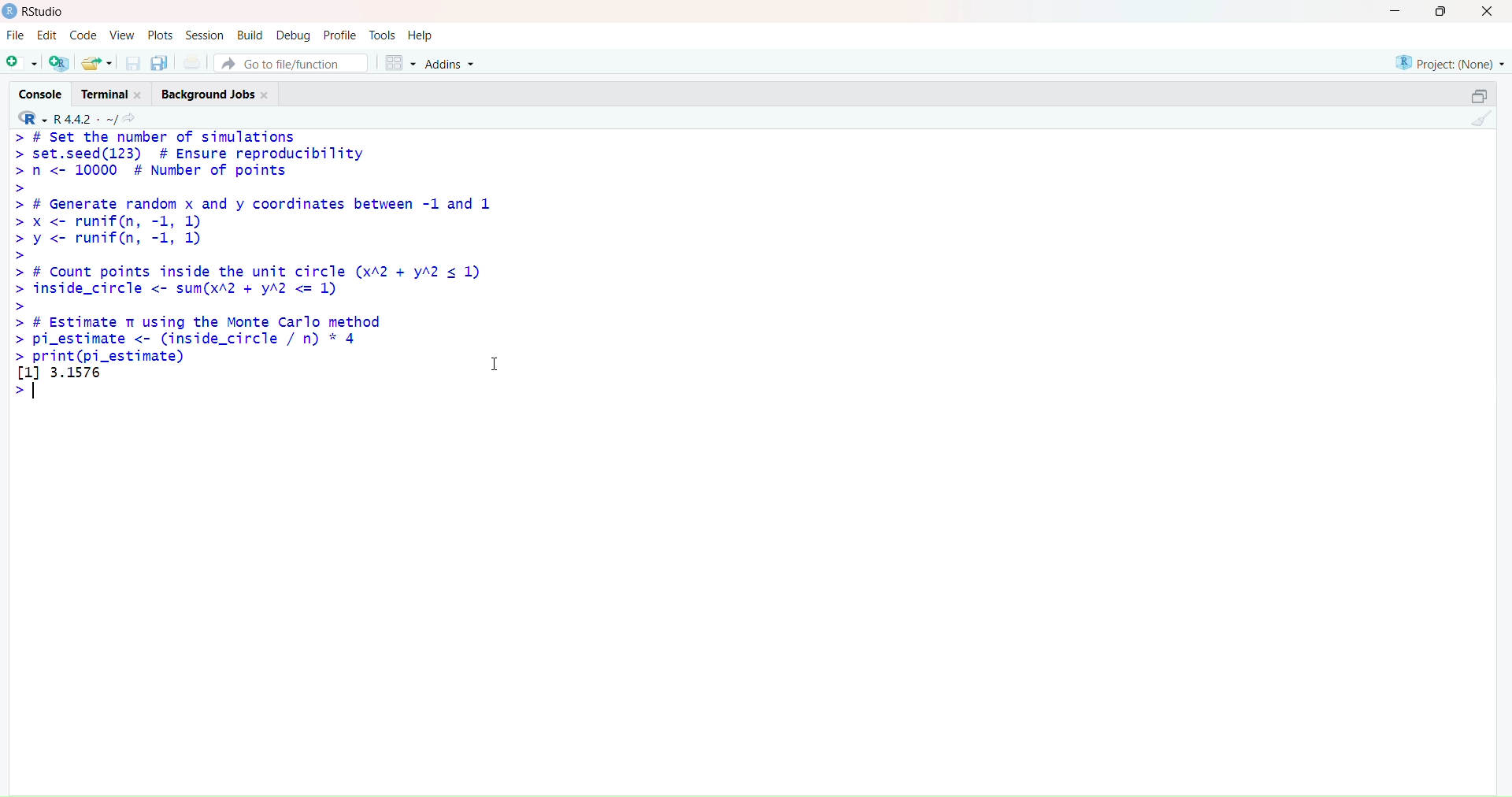 Image resolution: width=1512 pixels, height=797 pixels. Describe the element at coordinates (1482, 126) in the screenshot. I see `Clear Console (Ctrl + L)` at that location.